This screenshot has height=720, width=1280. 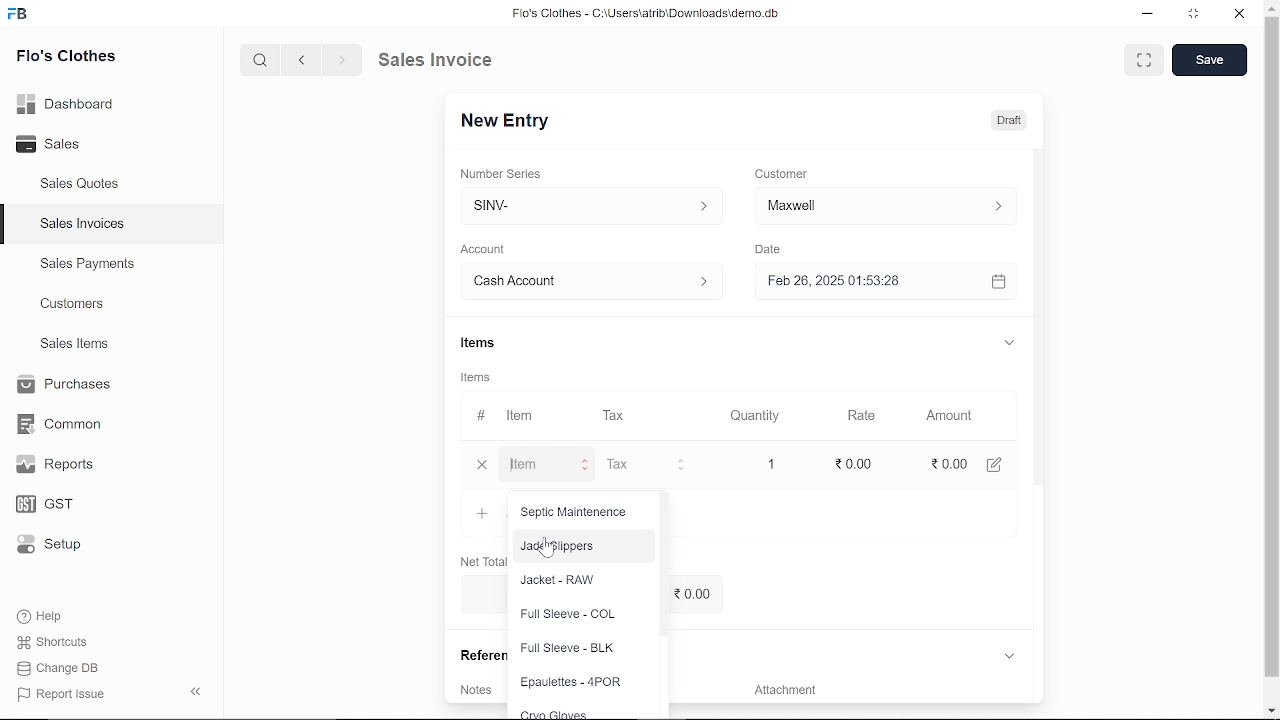 What do you see at coordinates (584, 584) in the screenshot?
I see `Jacket - RAW` at bounding box center [584, 584].